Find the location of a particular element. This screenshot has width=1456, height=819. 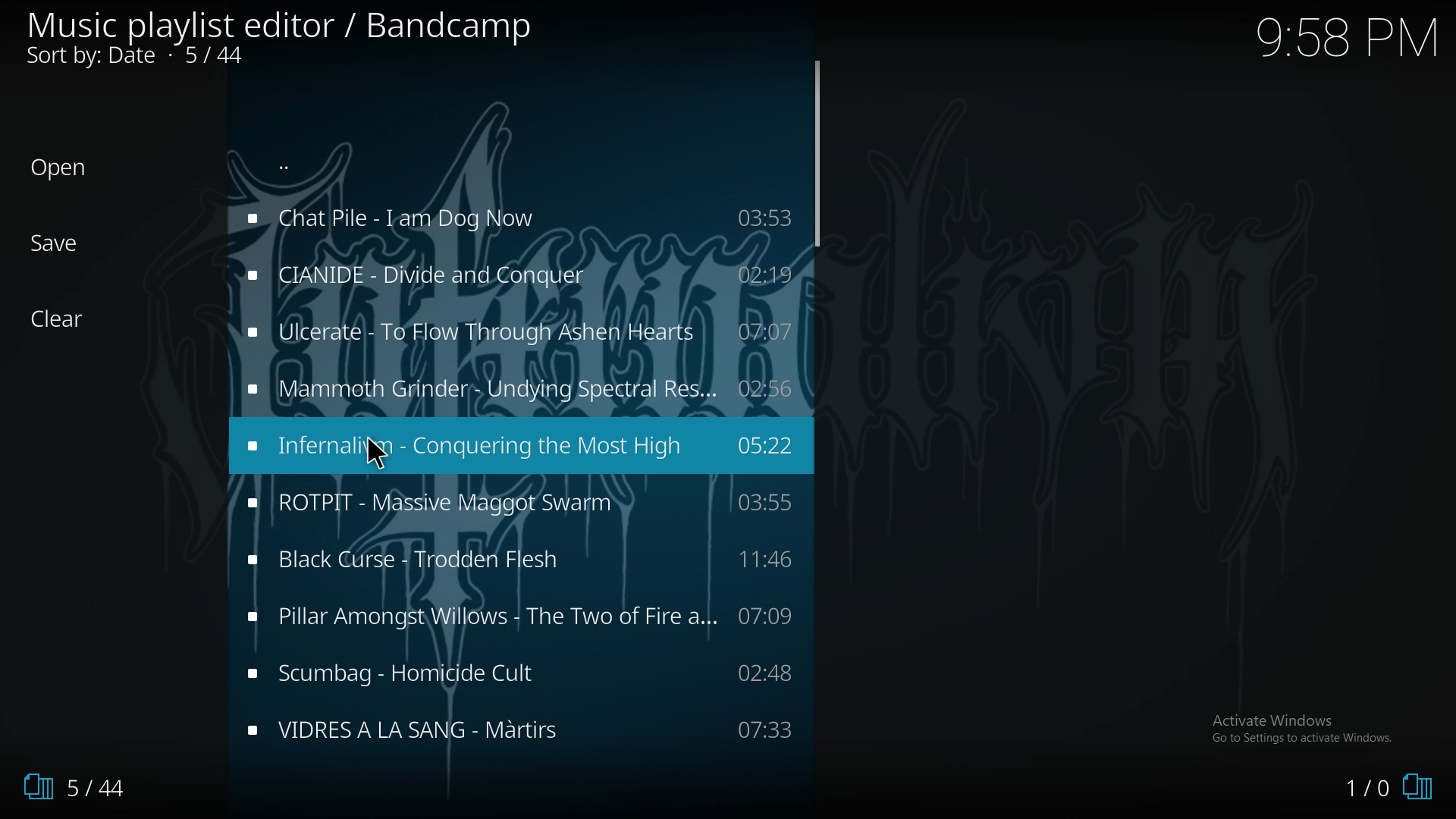

music is located at coordinates (522, 444).